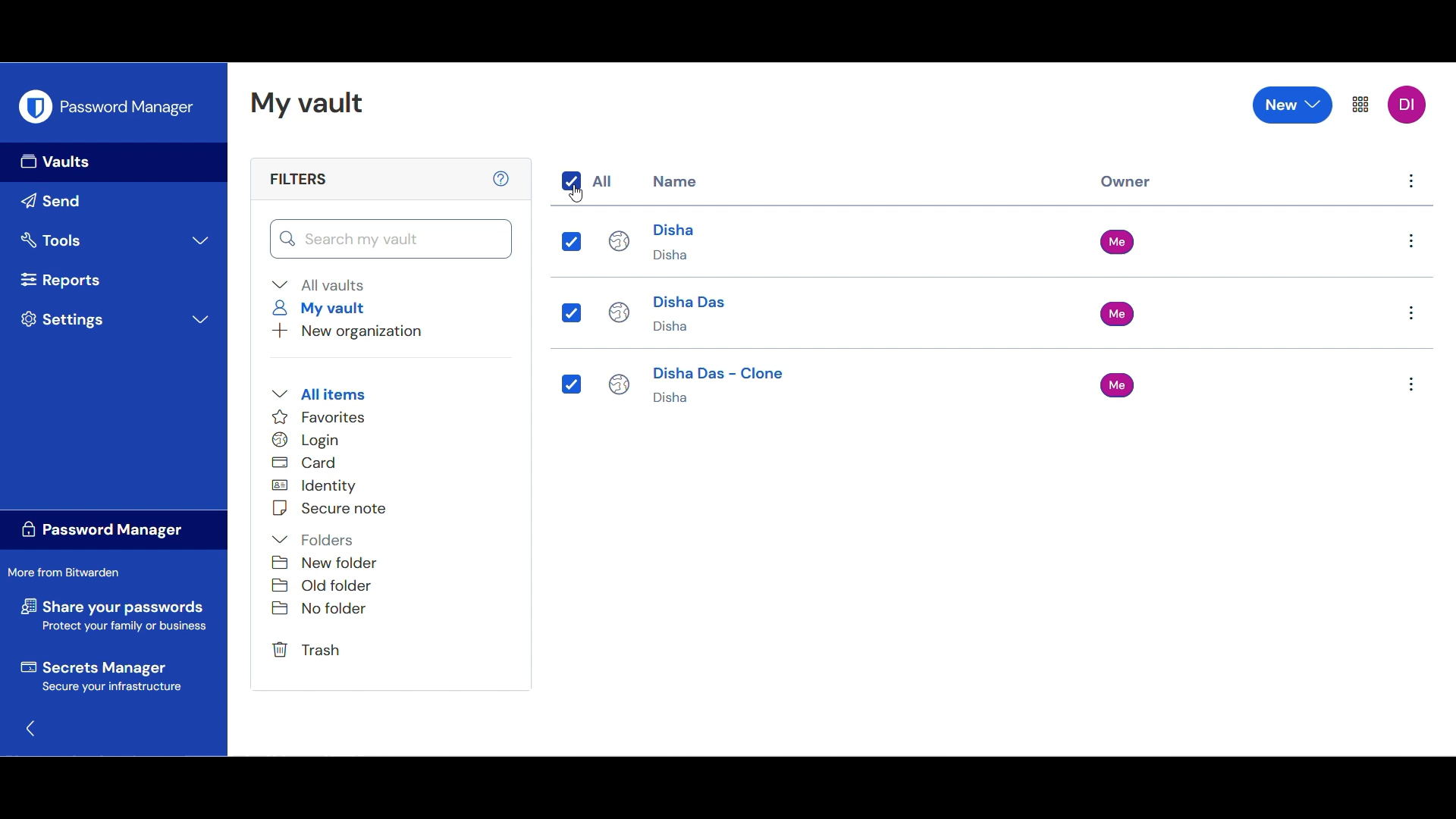  What do you see at coordinates (318, 394) in the screenshot?
I see `Collapse all items` at bounding box center [318, 394].